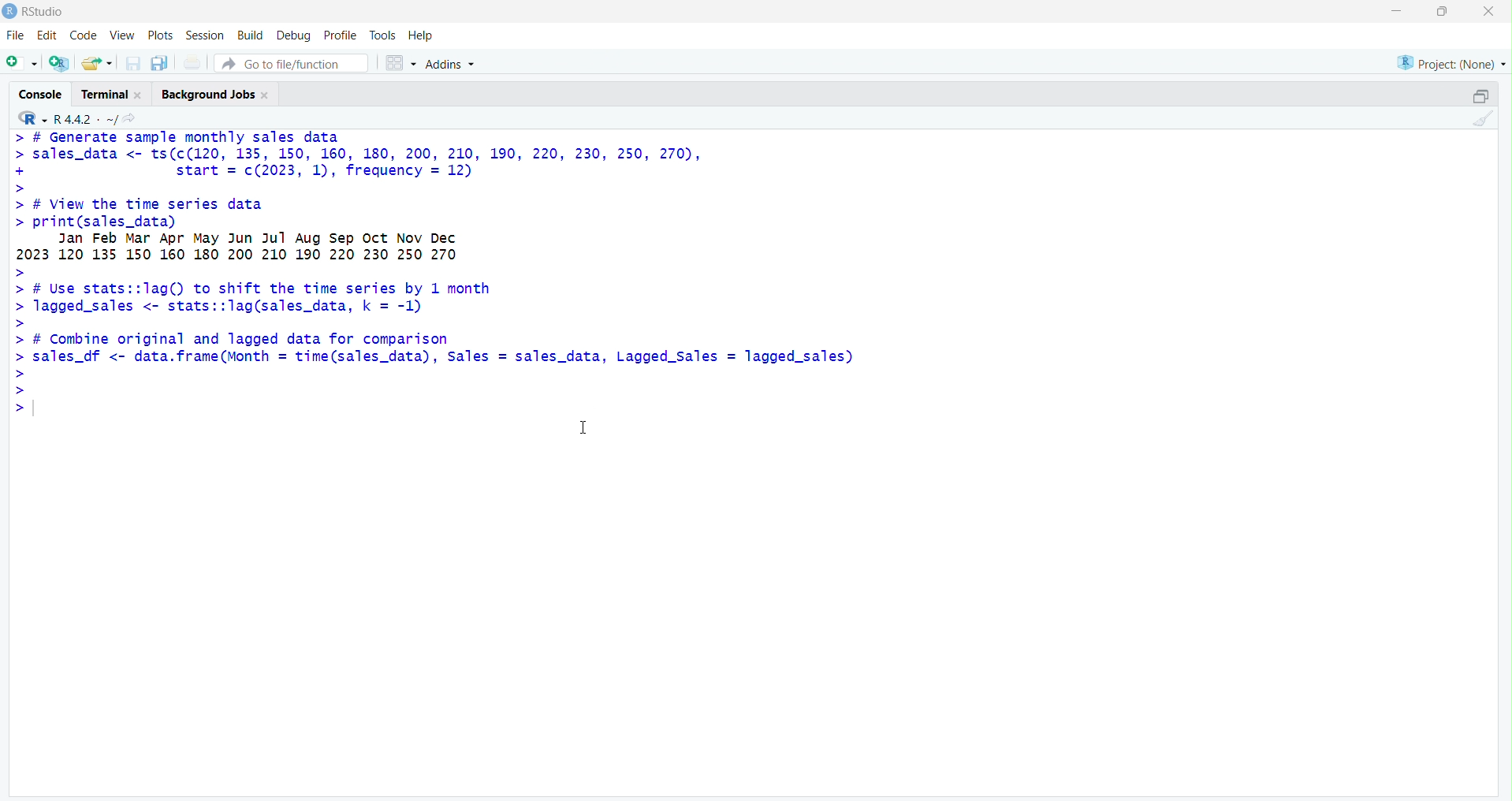 The width and height of the screenshot is (1512, 801). Describe the element at coordinates (1449, 61) in the screenshot. I see `project (none)` at that location.